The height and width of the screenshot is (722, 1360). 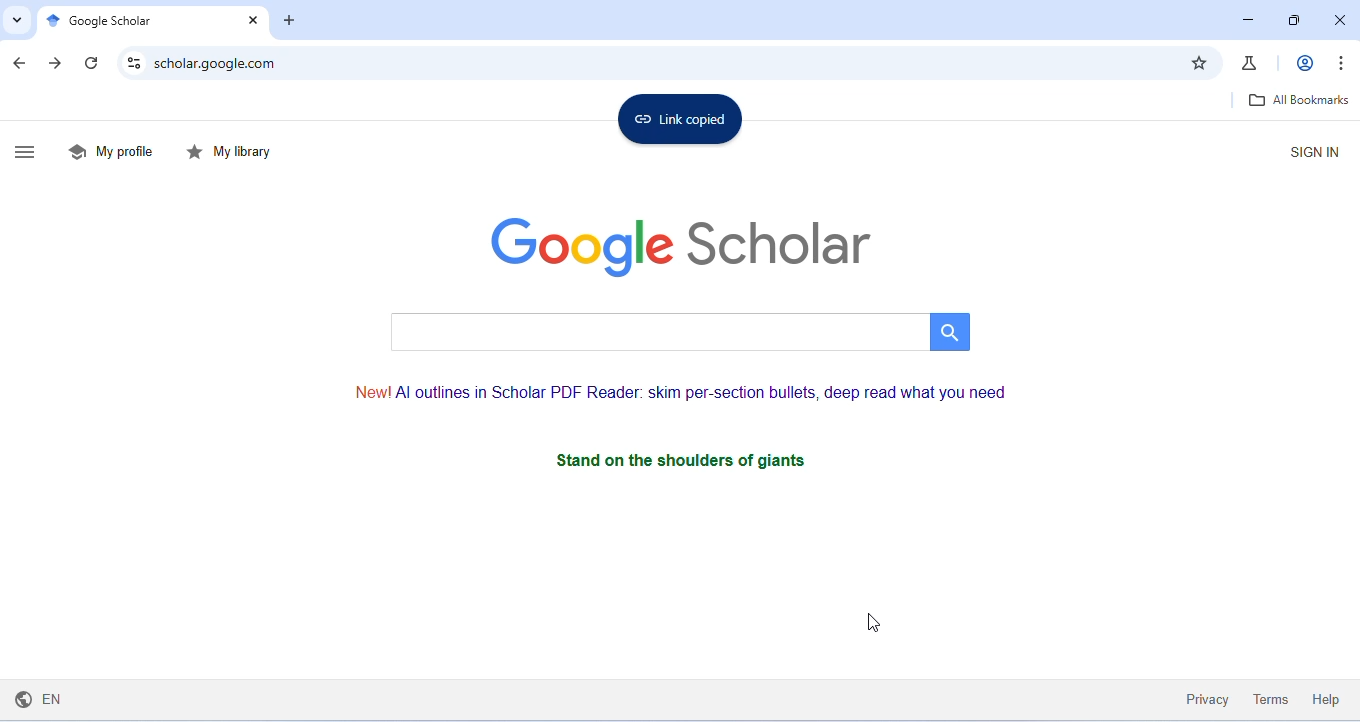 I want to click on sign in, so click(x=1313, y=151).